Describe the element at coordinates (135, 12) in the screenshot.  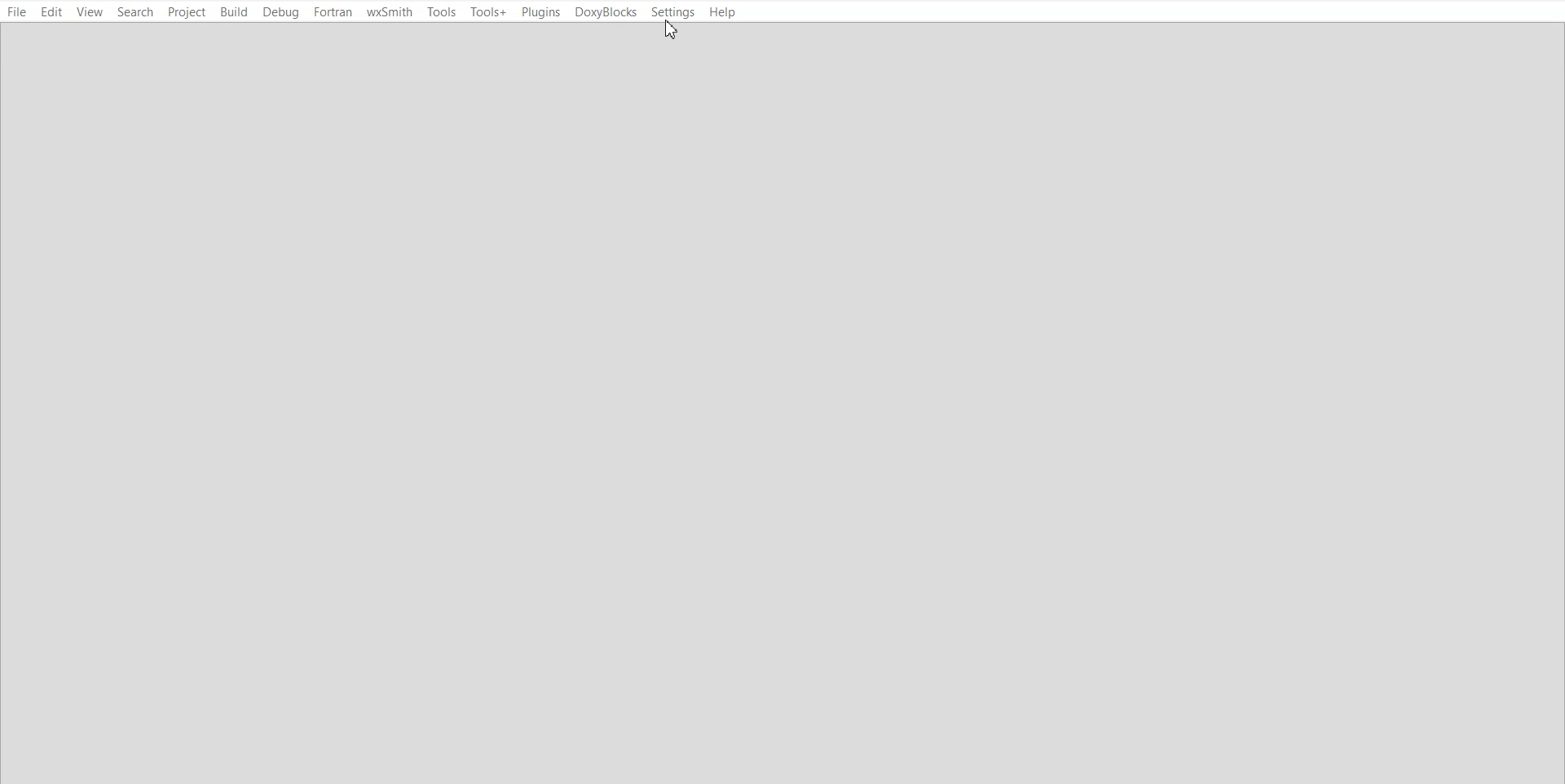
I see `Search` at that location.